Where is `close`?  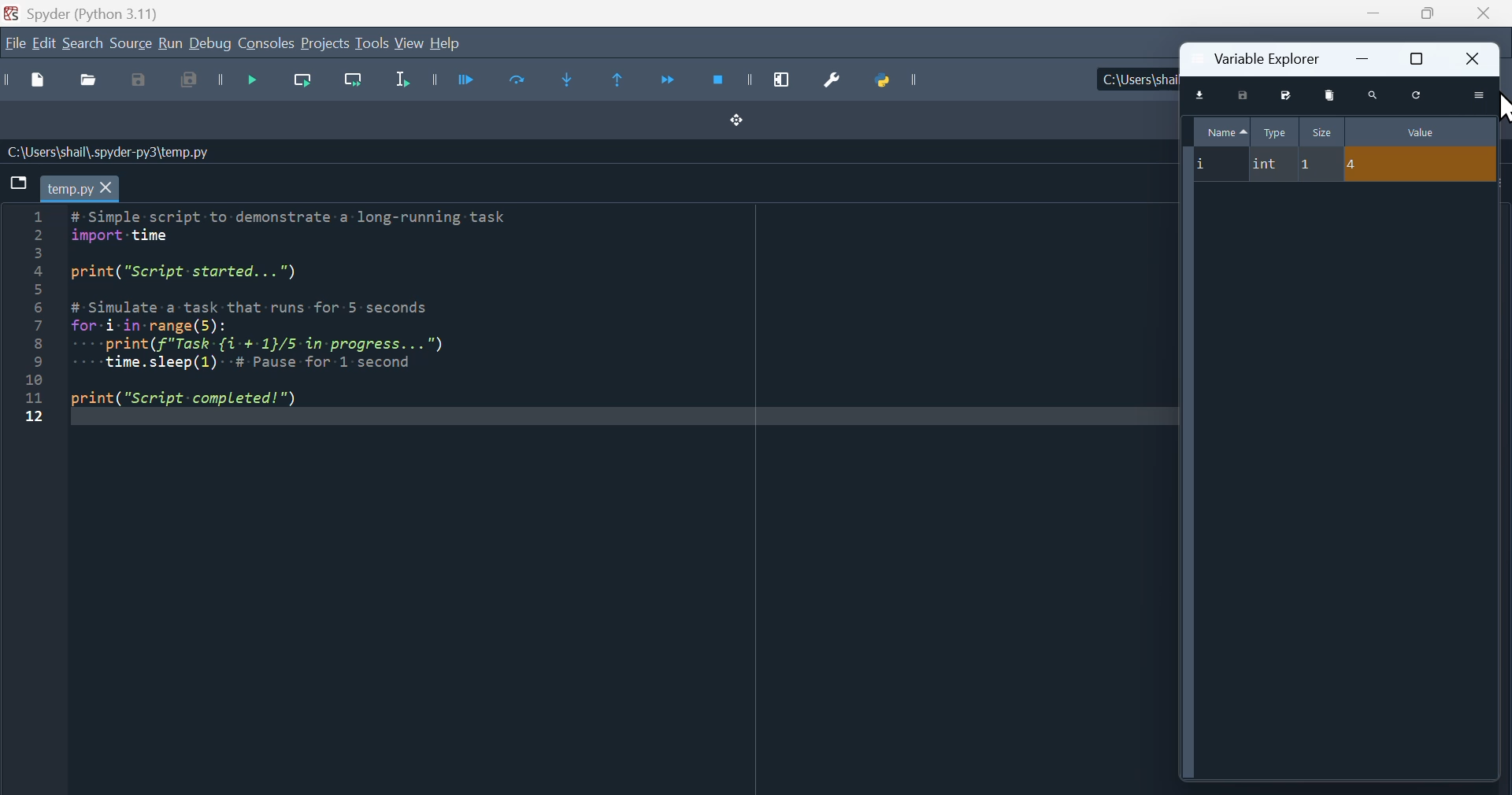 close is located at coordinates (1475, 58).